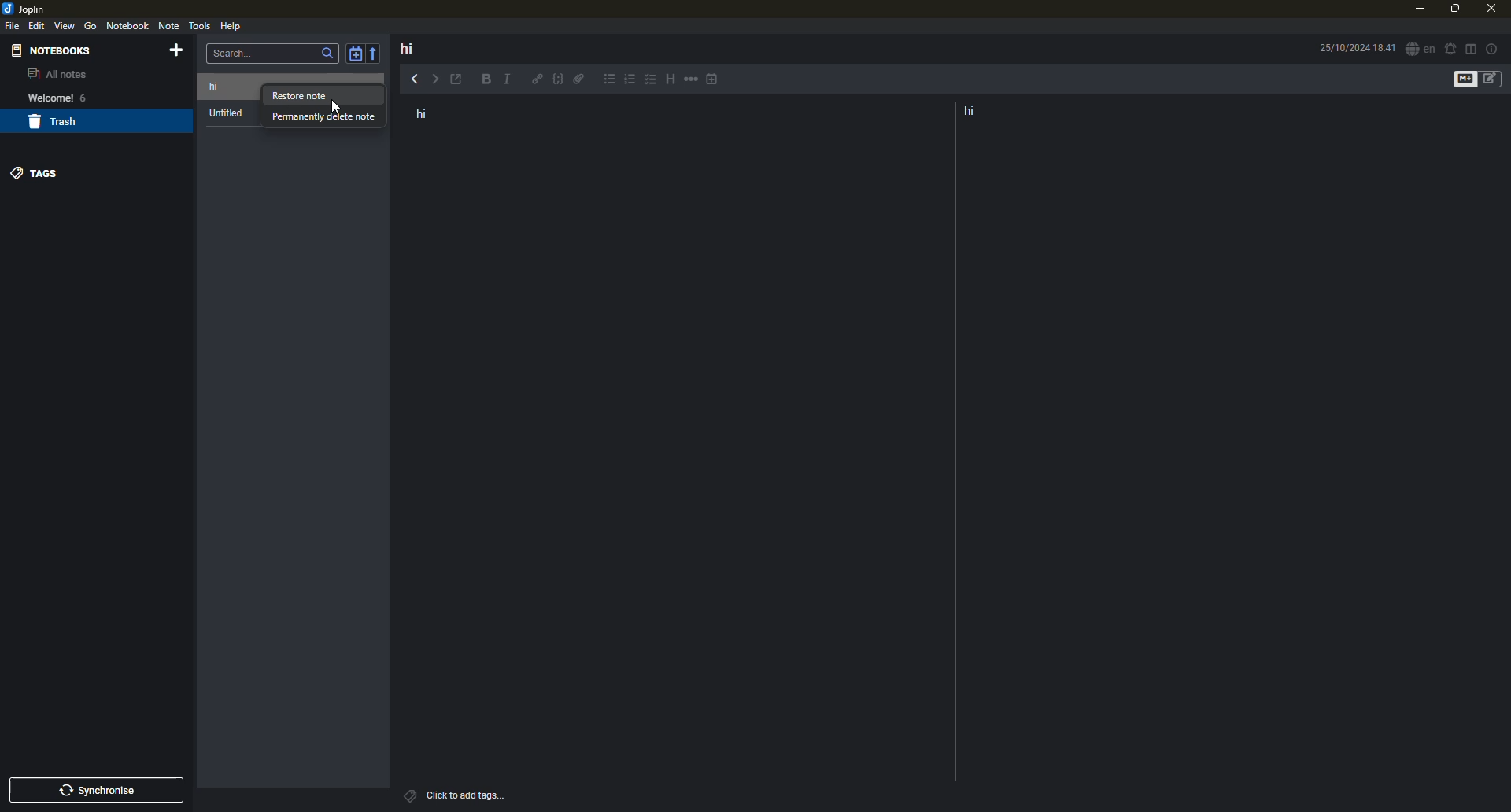  I want to click on all notes, so click(57, 76).